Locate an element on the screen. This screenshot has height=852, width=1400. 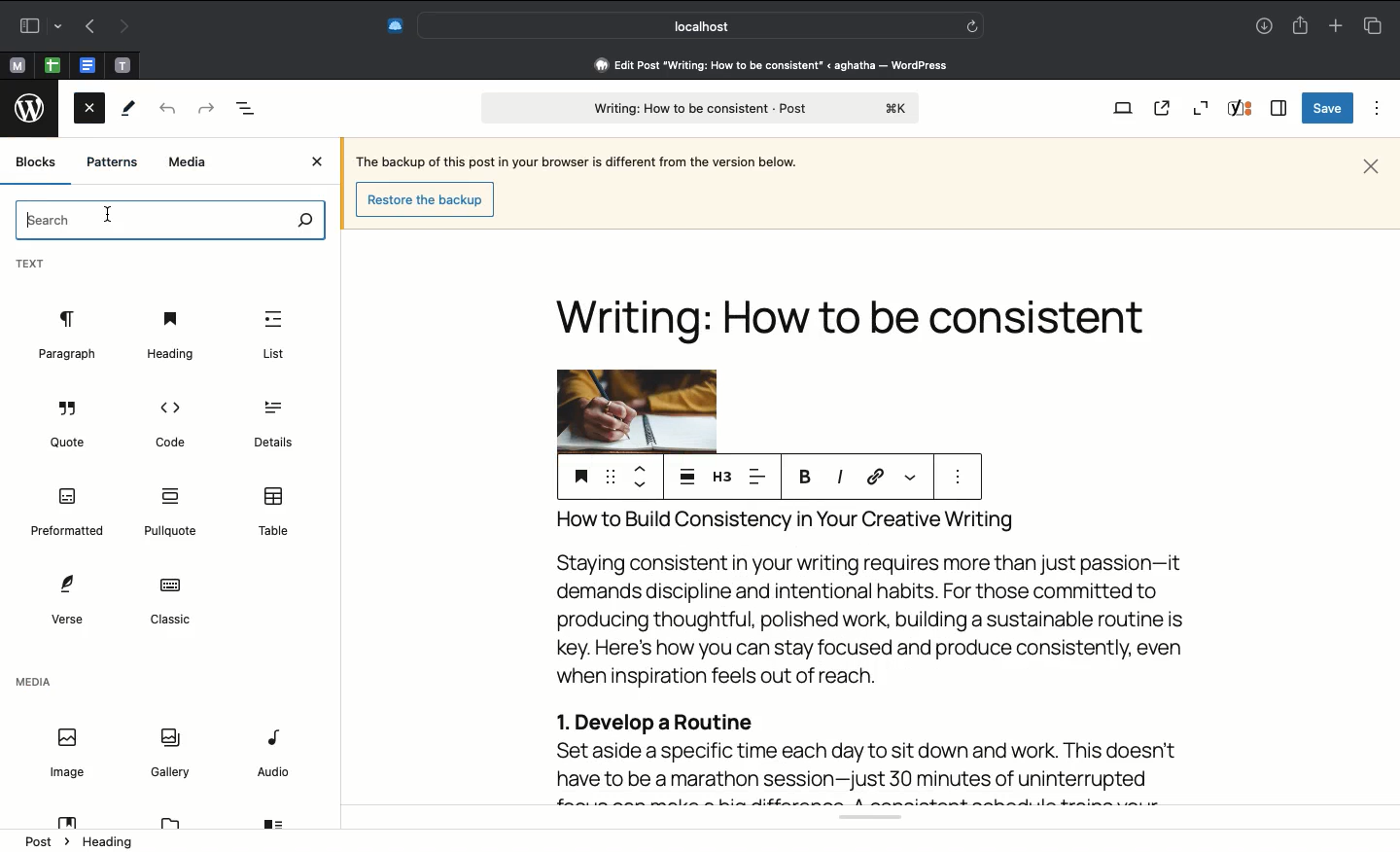
Save is located at coordinates (1327, 108).